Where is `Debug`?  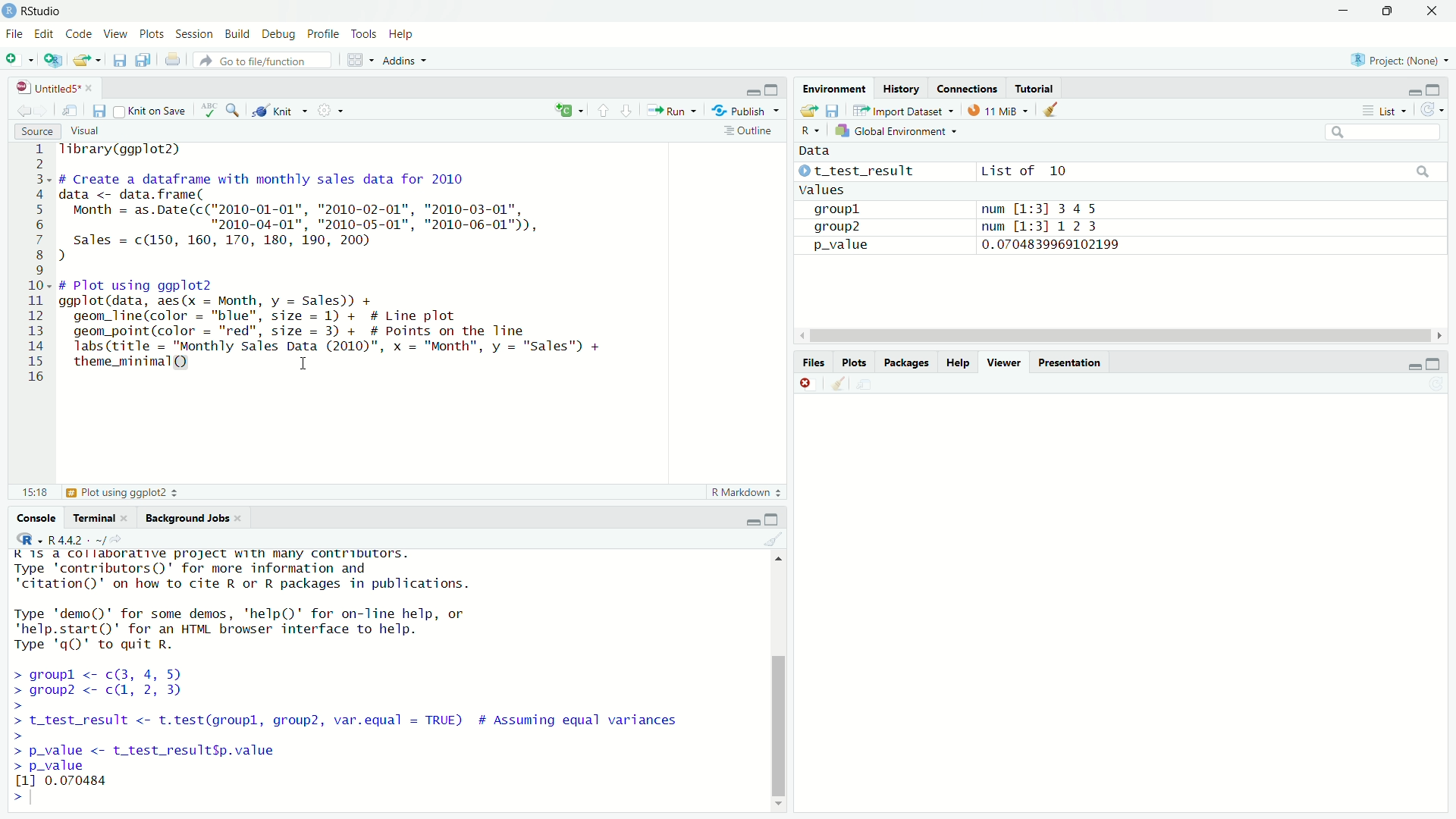
Debug is located at coordinates (277, 32).